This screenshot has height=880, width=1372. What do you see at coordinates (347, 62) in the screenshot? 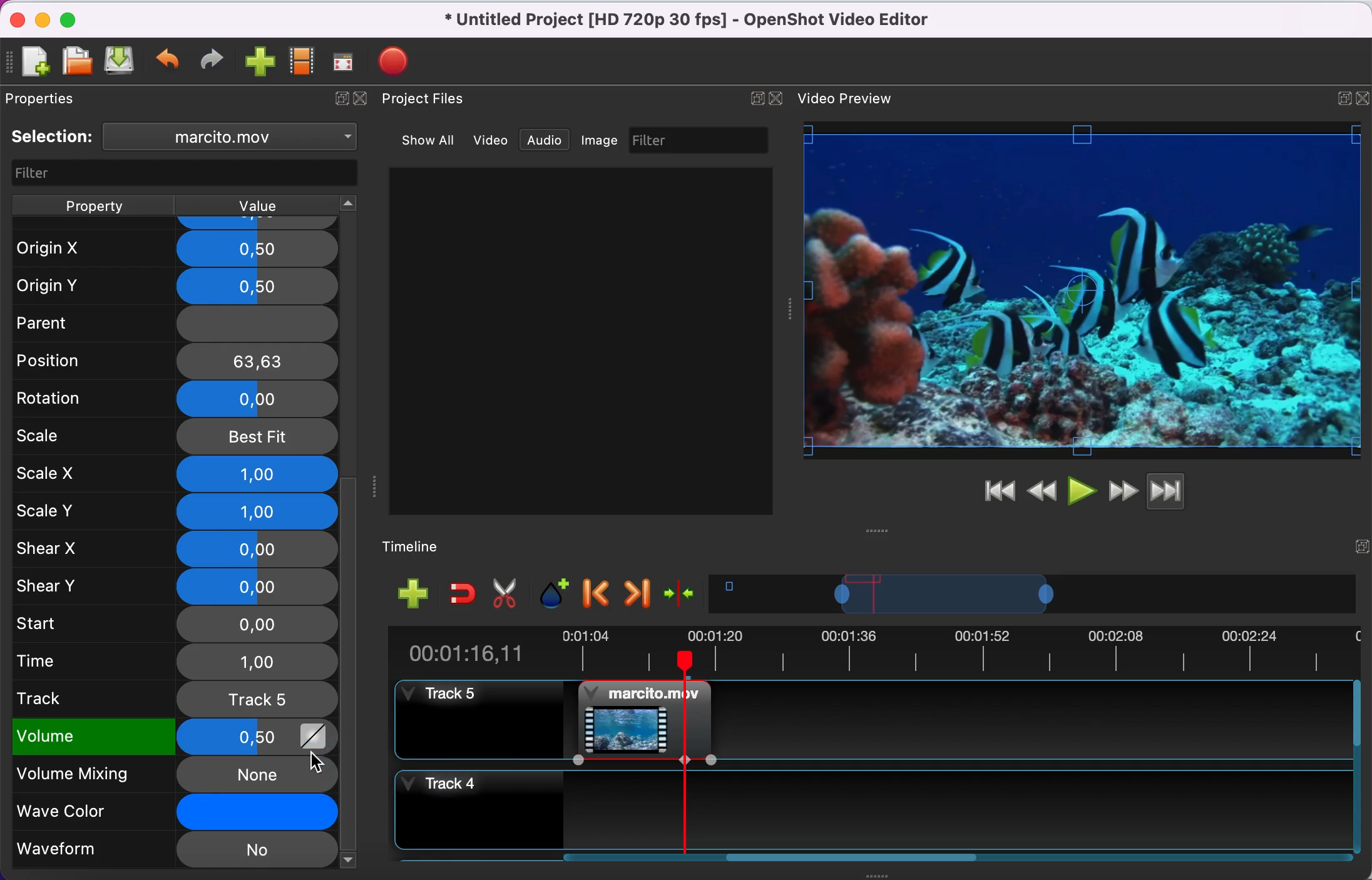
I see `full screen` at bounding box center [347, 62].